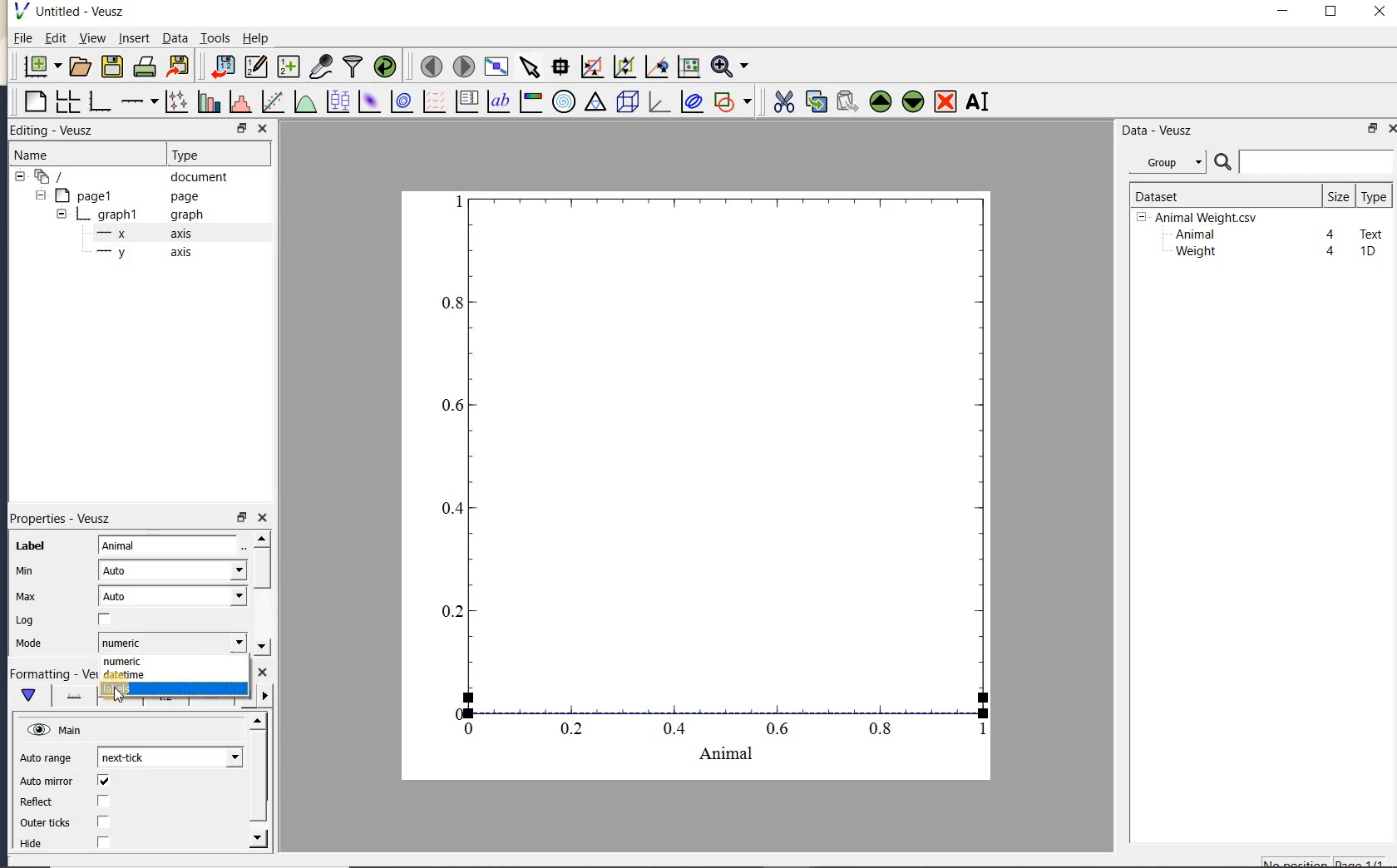 The image size is (1397, 868). What do you see at coordinates (105, 620) in the screenshot?
I see `check/uncheck` at bounding box center [105, 620].